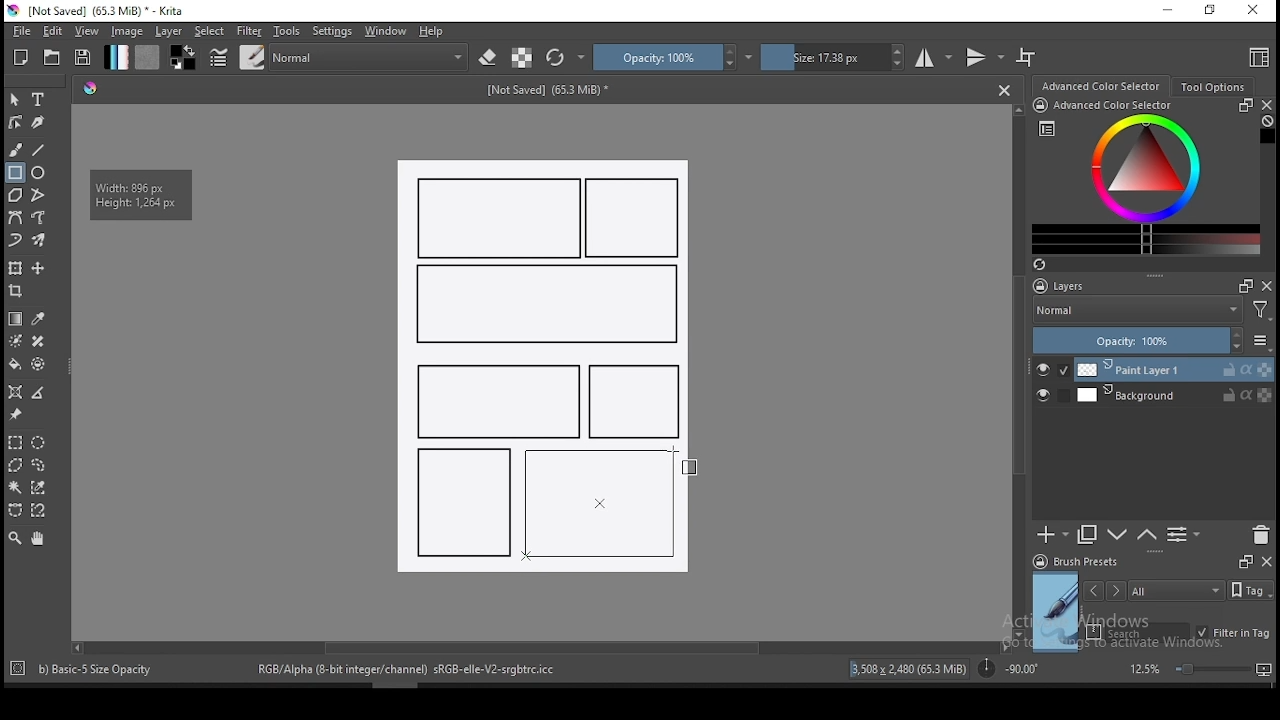 The height and width of the screenshot is (720, 1280). Describe the element at coordinates (40, 218) in the screenshot. I see `freehand path tool` at that location.